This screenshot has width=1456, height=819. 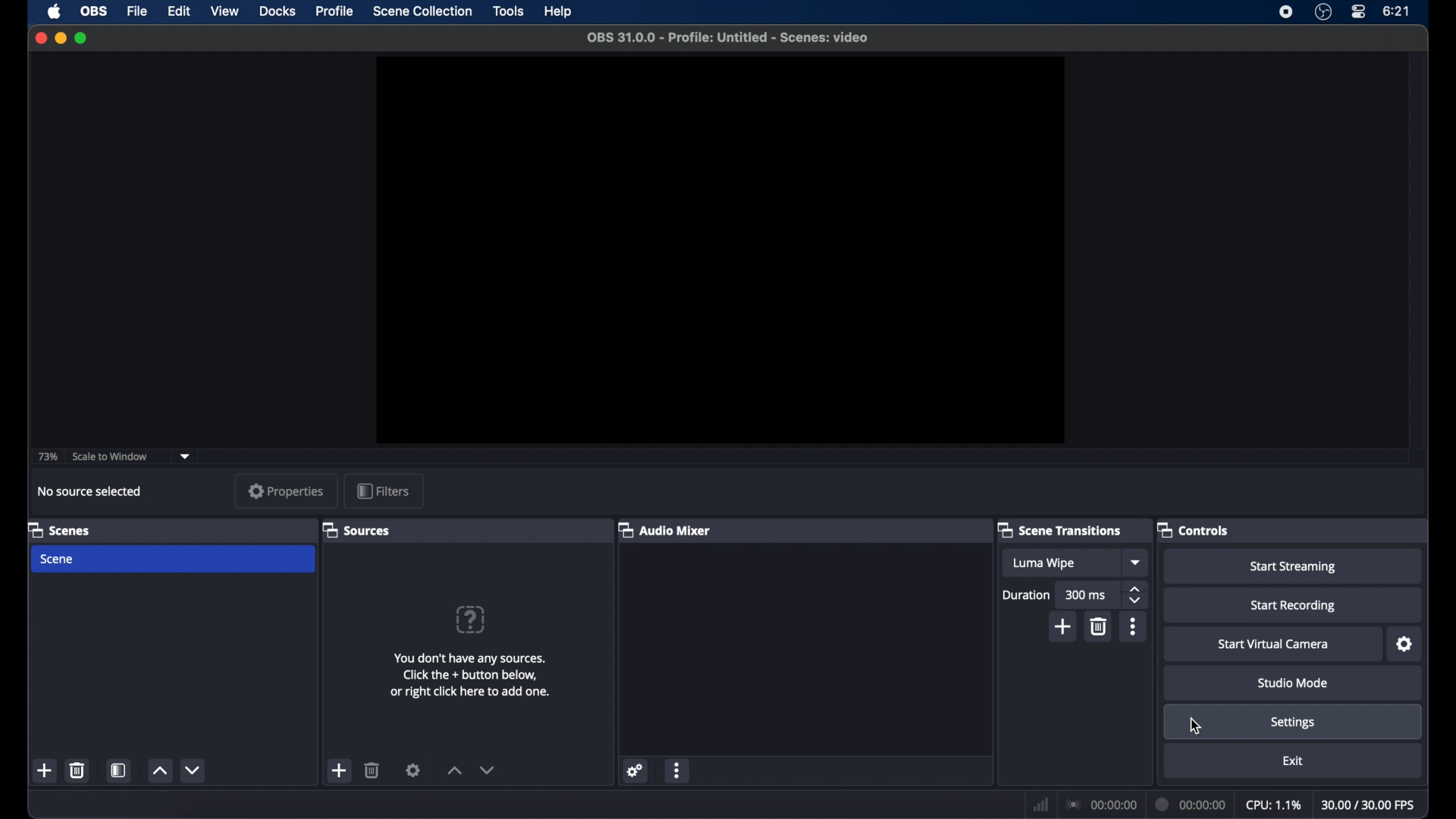 I want to click on studio mode, so click(x=1293, y=682).